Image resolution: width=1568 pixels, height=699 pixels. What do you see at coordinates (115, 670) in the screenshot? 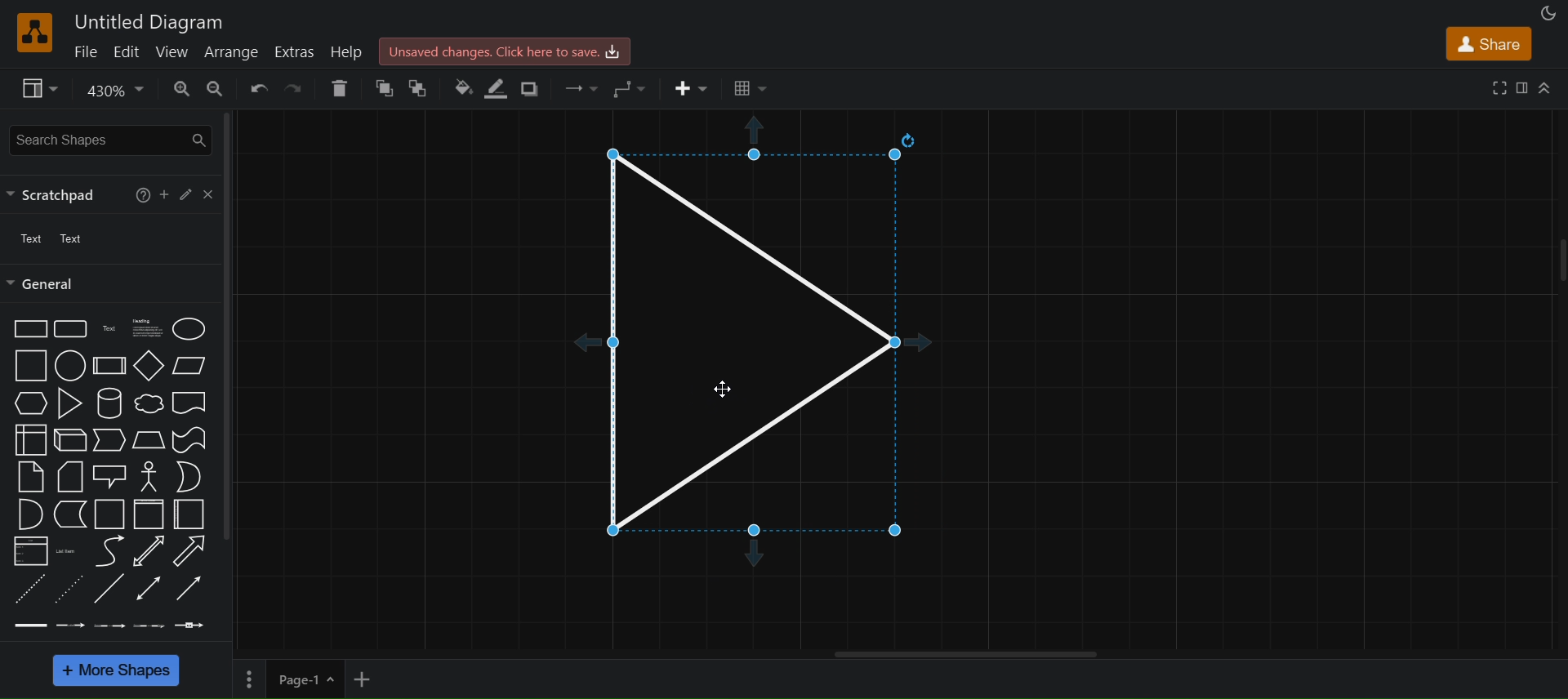
I see `More shapes` at bounding box center [115, 670].